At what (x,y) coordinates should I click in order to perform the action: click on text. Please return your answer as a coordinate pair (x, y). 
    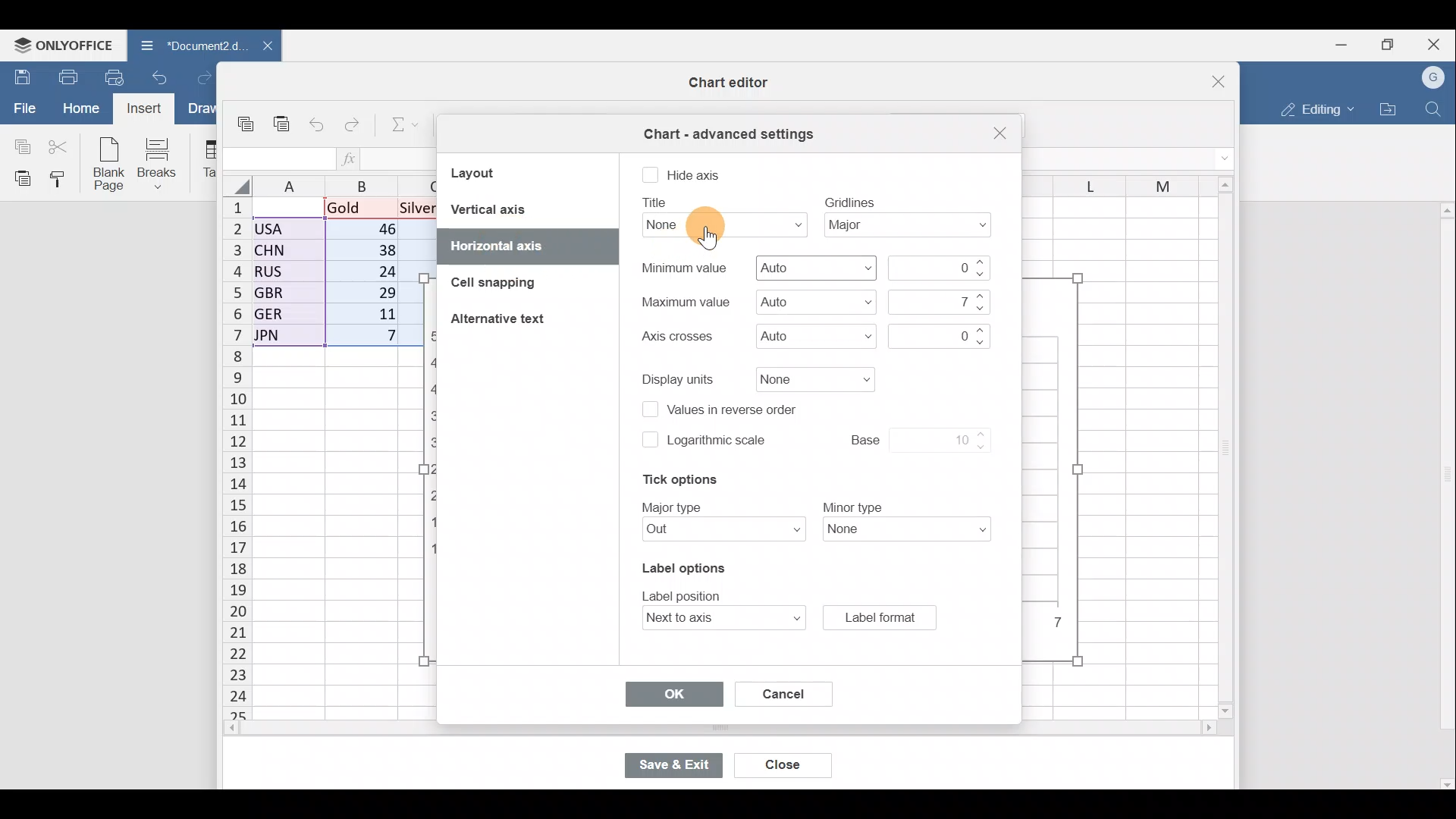
    Looking at the image, I should click on (686, 594).